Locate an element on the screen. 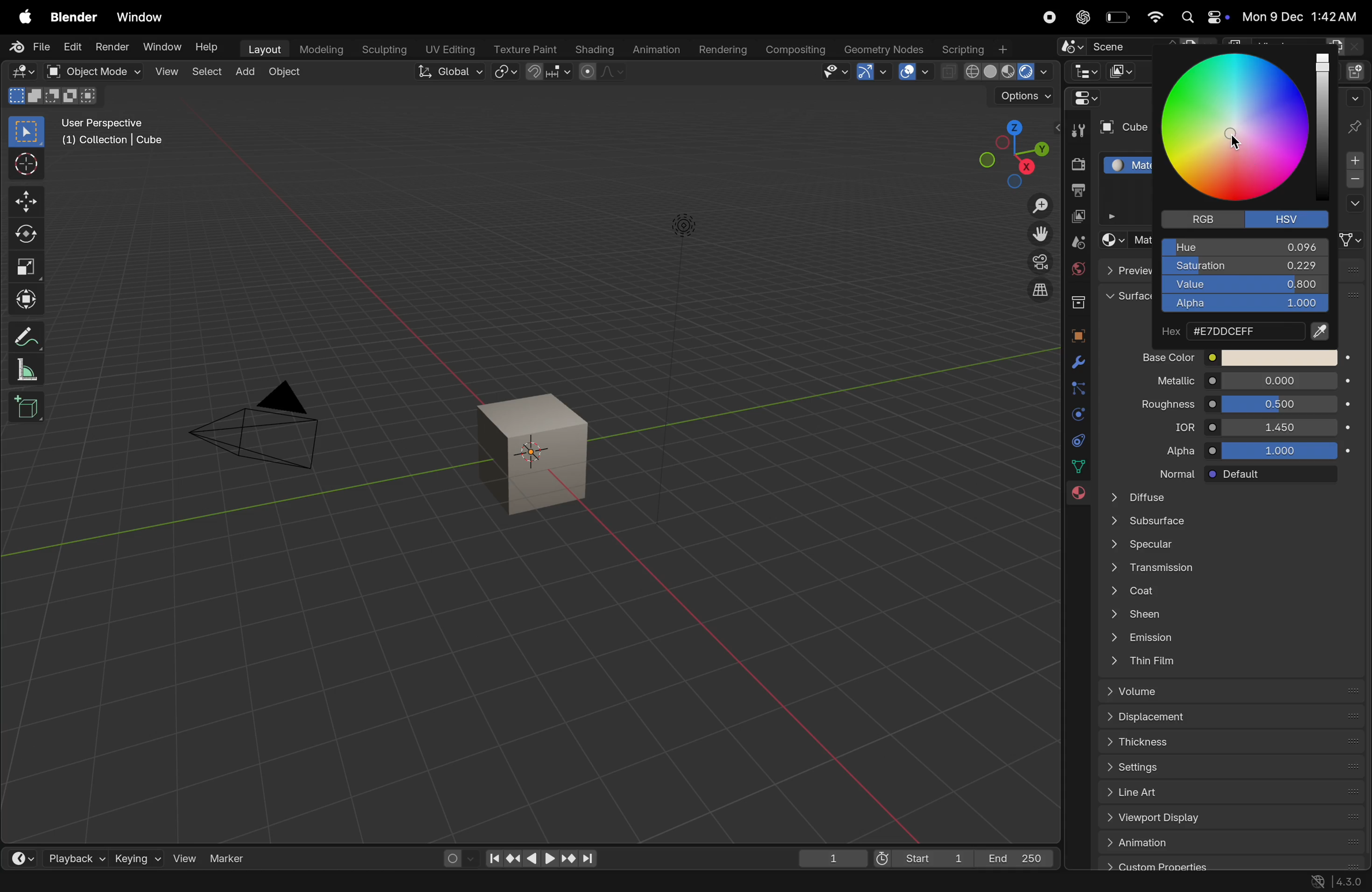 The width and height of the screenshot is (1372, 892). mode is located at coordinates (54, 95).